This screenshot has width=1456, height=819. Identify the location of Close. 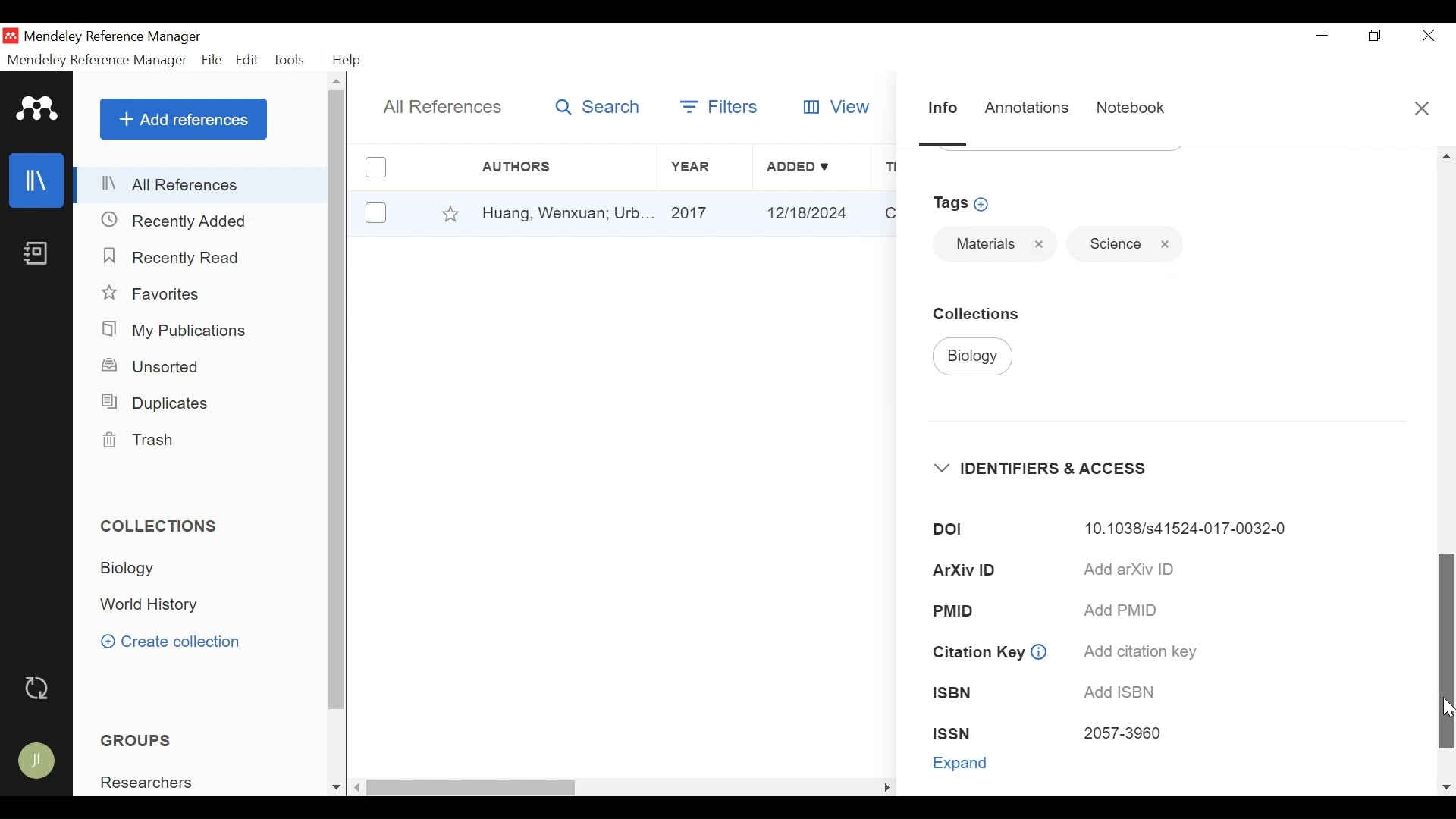
(1165, 244).